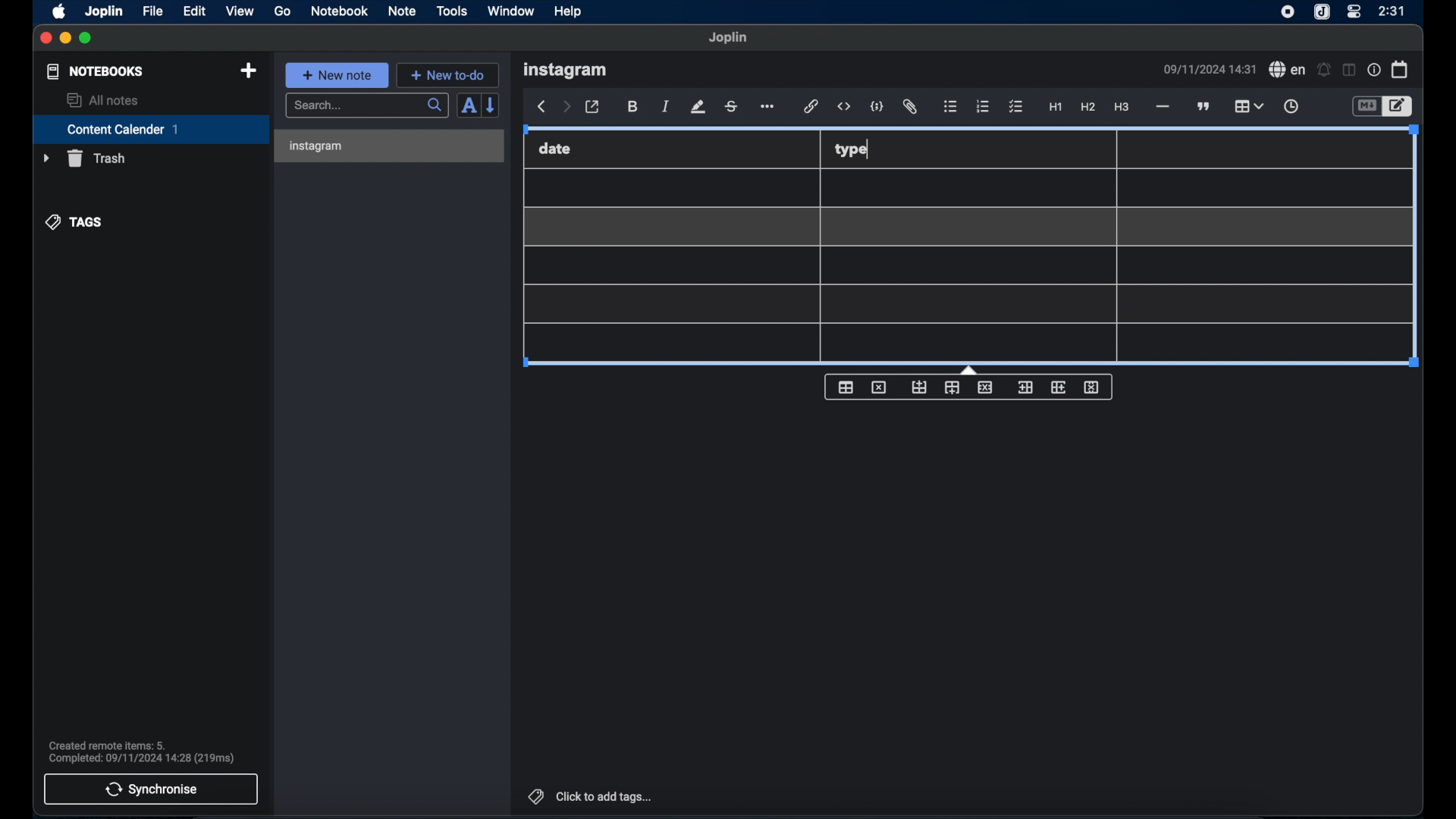 The height and width of the screenshot is (819, 1456). I want to click on spell check, so click(1288, 69).